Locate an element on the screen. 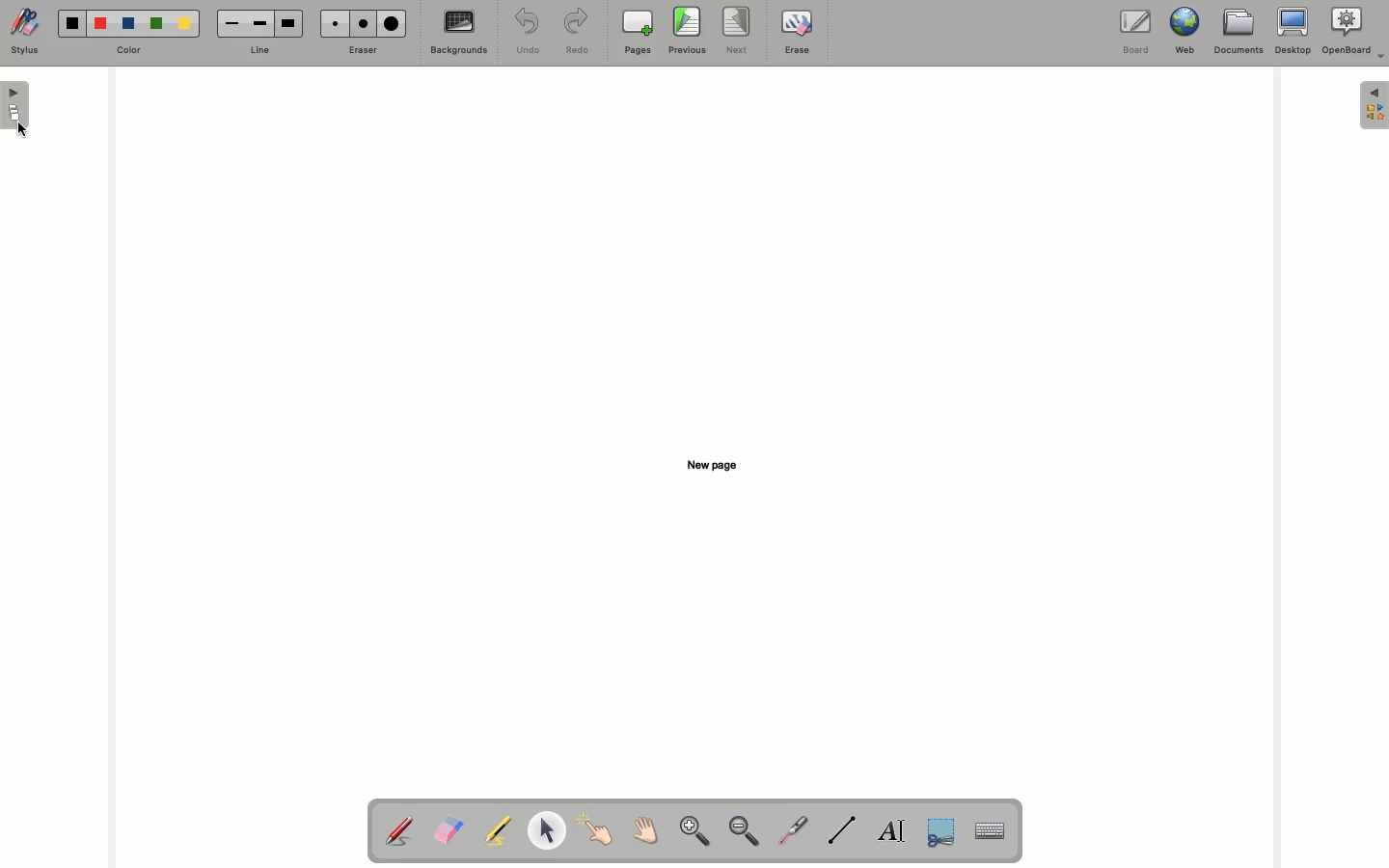 Image resolution: width=1389 pixels, height=868 pixels. Large eraser is located at coordinates (391, 23).